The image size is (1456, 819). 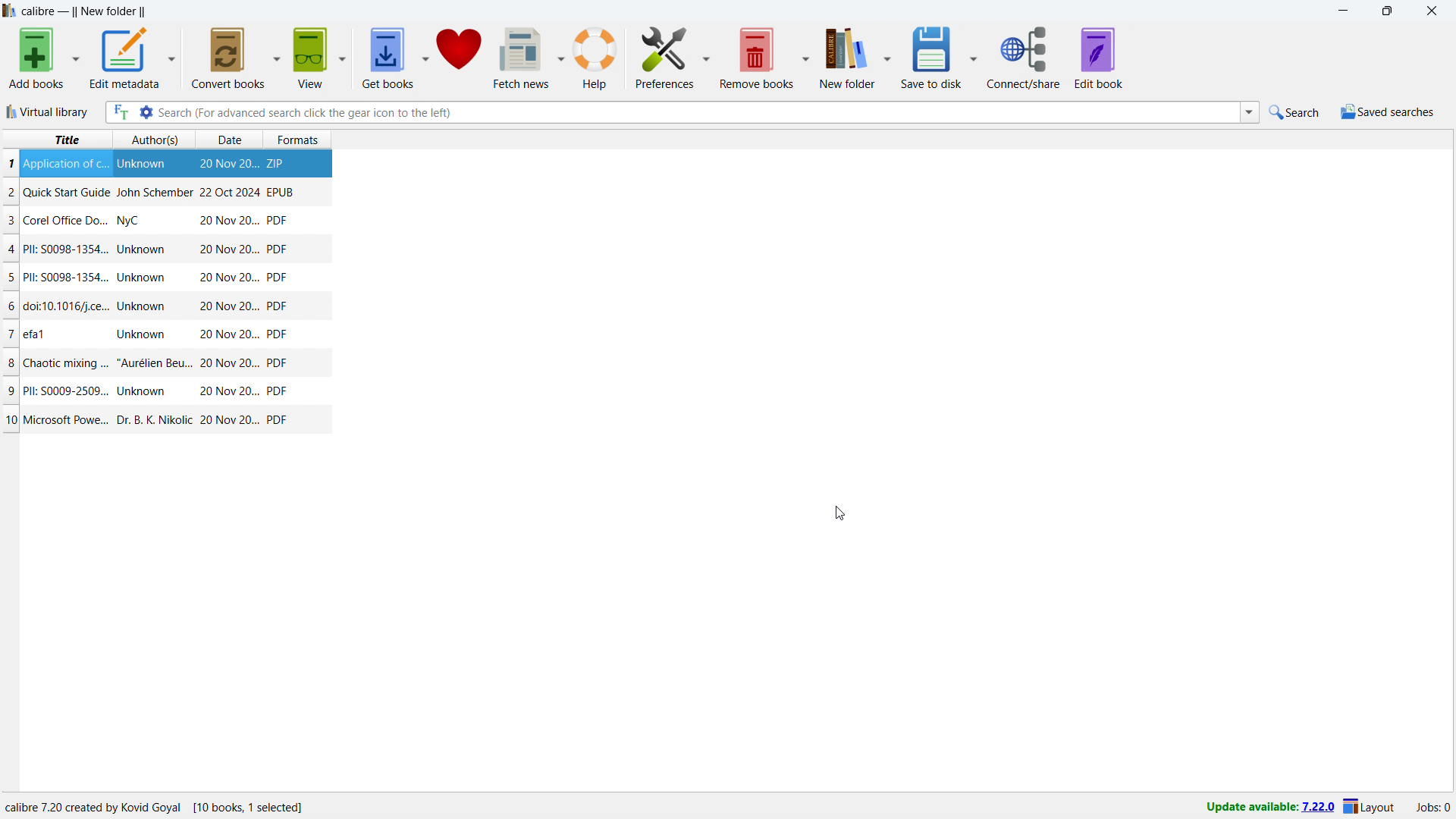 What do you see at coordinates (280, 191) in the screenshot?
I see `EPUB` at bounding box center [280, 191].